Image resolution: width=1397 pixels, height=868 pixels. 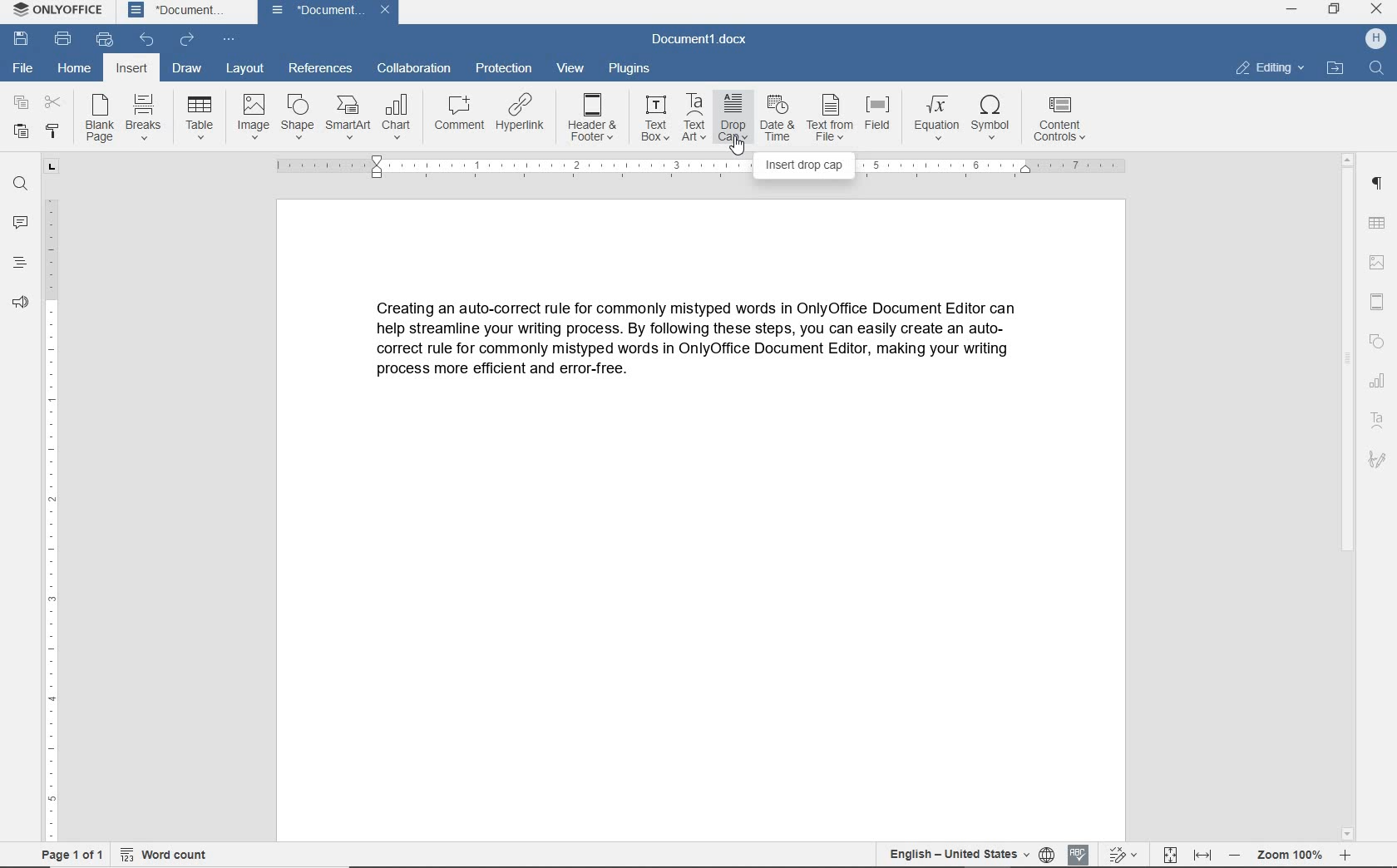 What do you see at coordinates (1379, 382) in the screenshot?
I see `chart` at bounding box center [1379, 382].